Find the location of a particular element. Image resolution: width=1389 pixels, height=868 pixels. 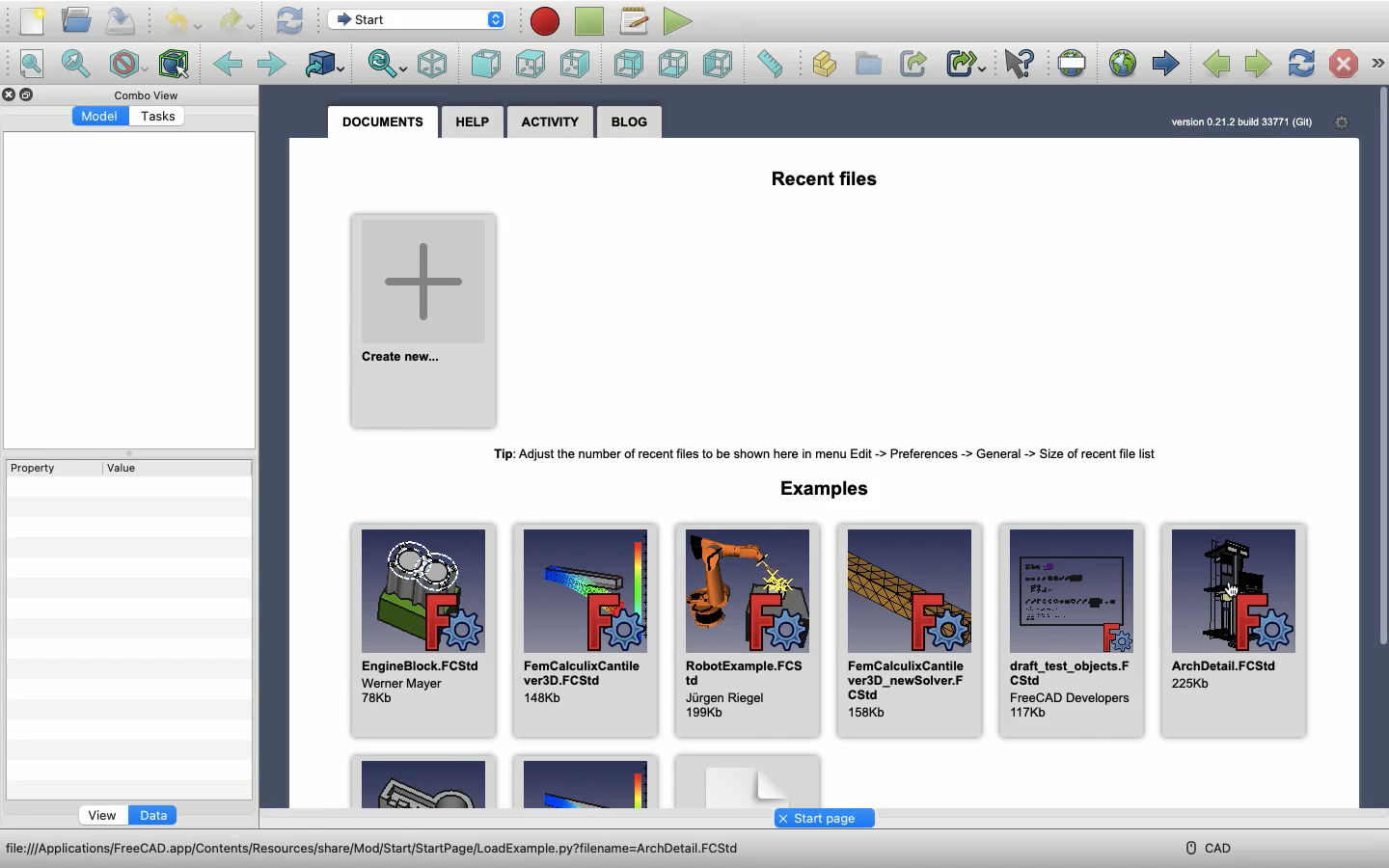

Example is located at coordinates (747, 779).